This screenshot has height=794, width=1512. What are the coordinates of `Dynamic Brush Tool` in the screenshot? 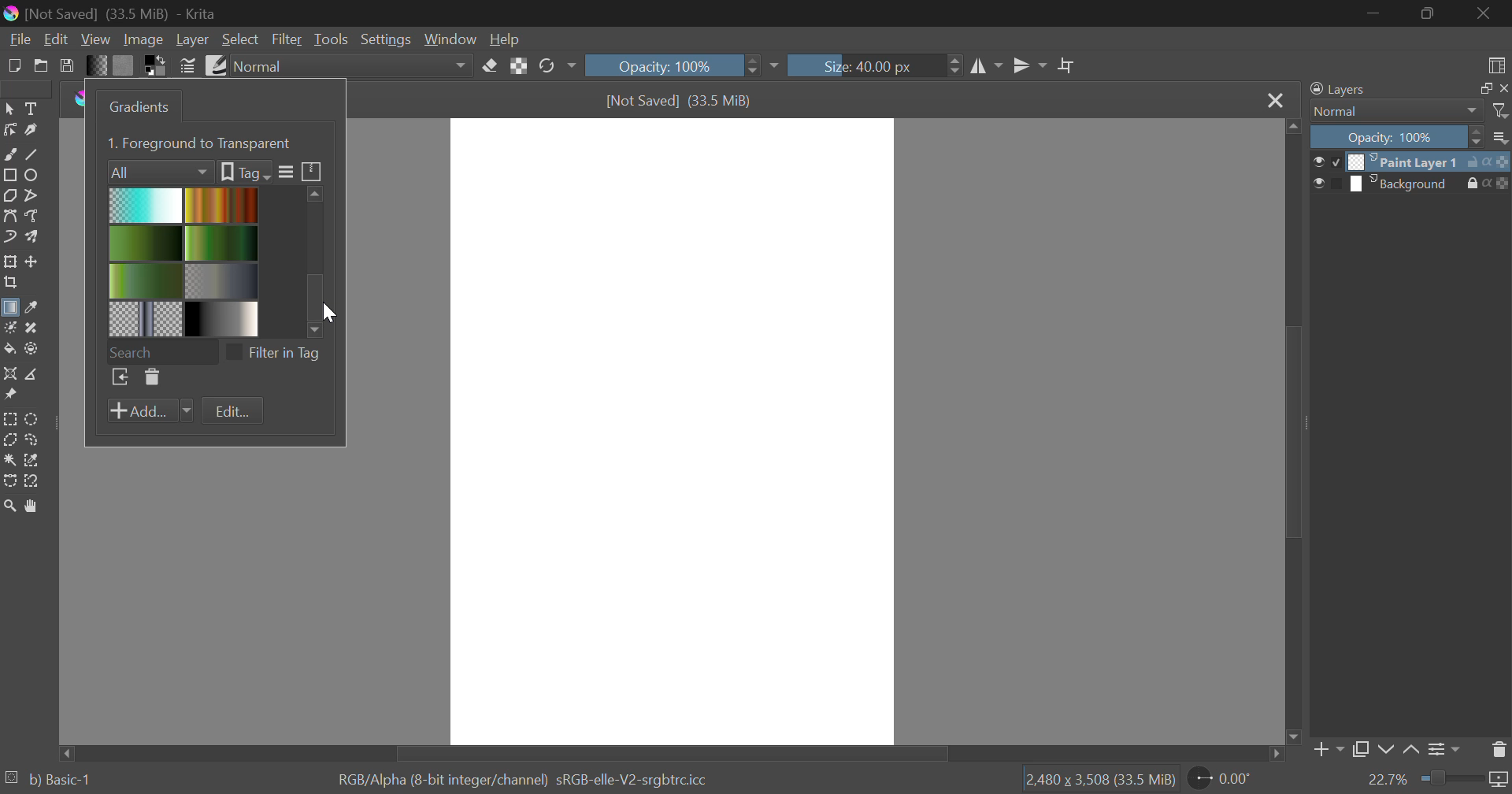 It's located at (9, 238).